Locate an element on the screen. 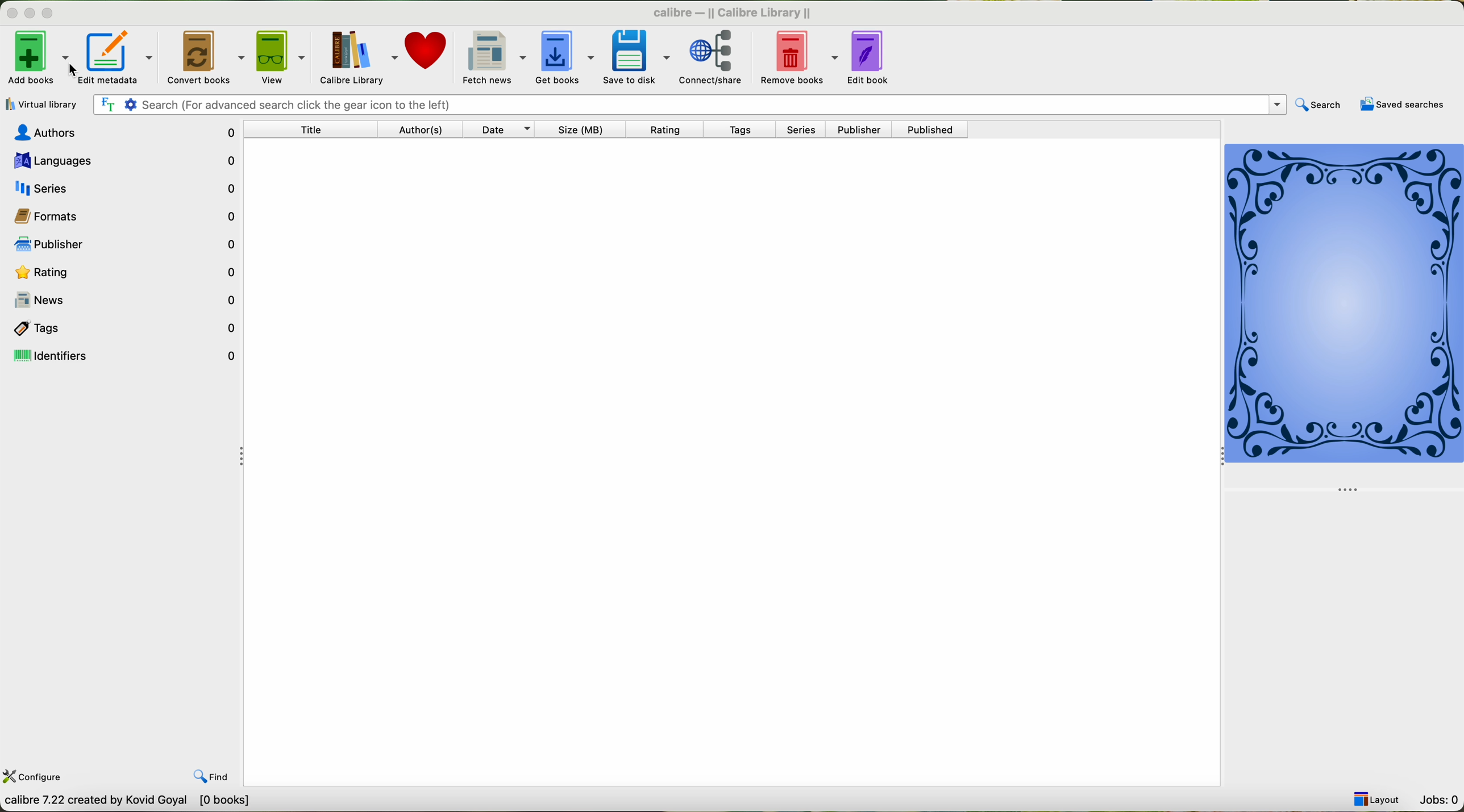  get books is located at coordinates (565, 58).